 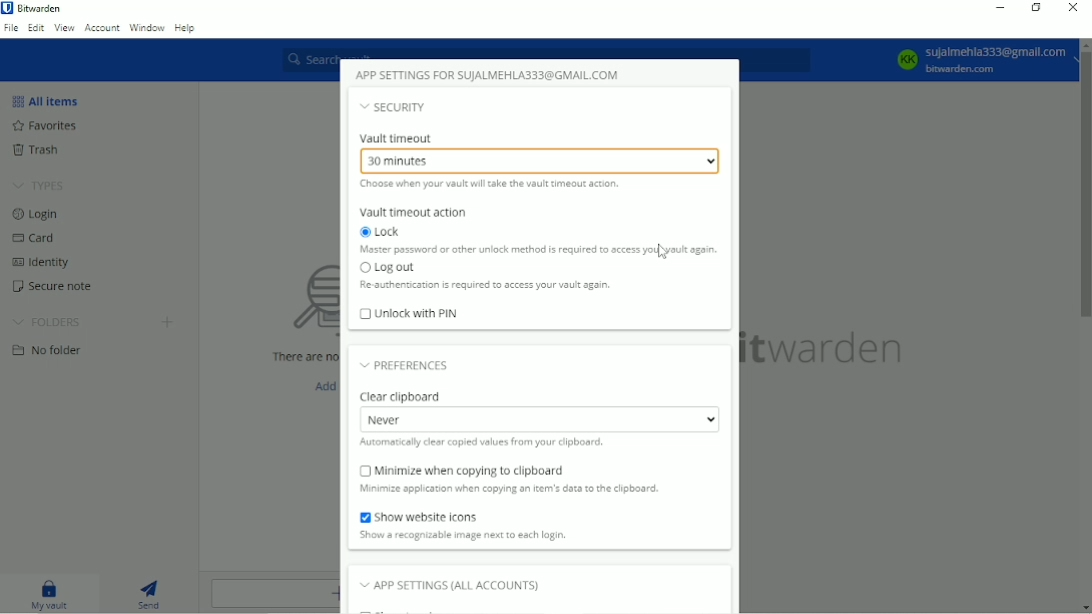 I want to click on Logout, so click(x=384, y=266).